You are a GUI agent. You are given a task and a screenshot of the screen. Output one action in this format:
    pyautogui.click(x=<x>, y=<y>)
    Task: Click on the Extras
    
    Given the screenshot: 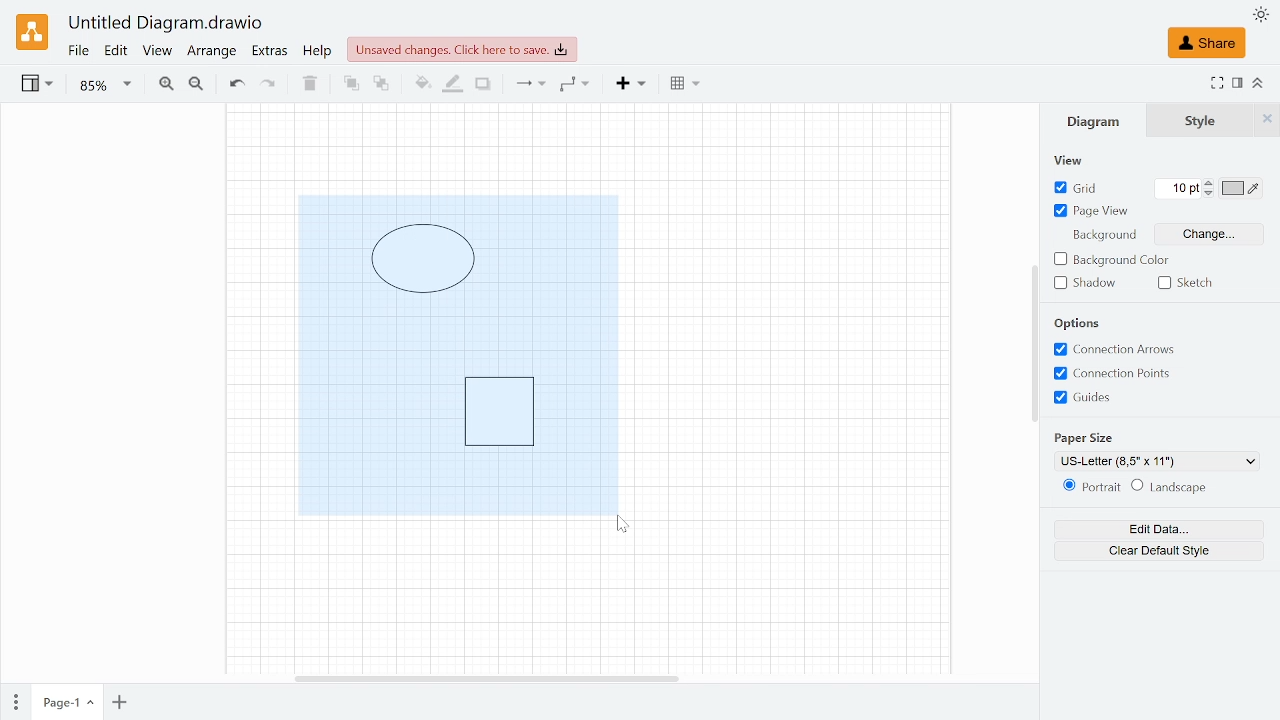 What is the action you would take?
    pyautogui.click(x=270, y=53)
    